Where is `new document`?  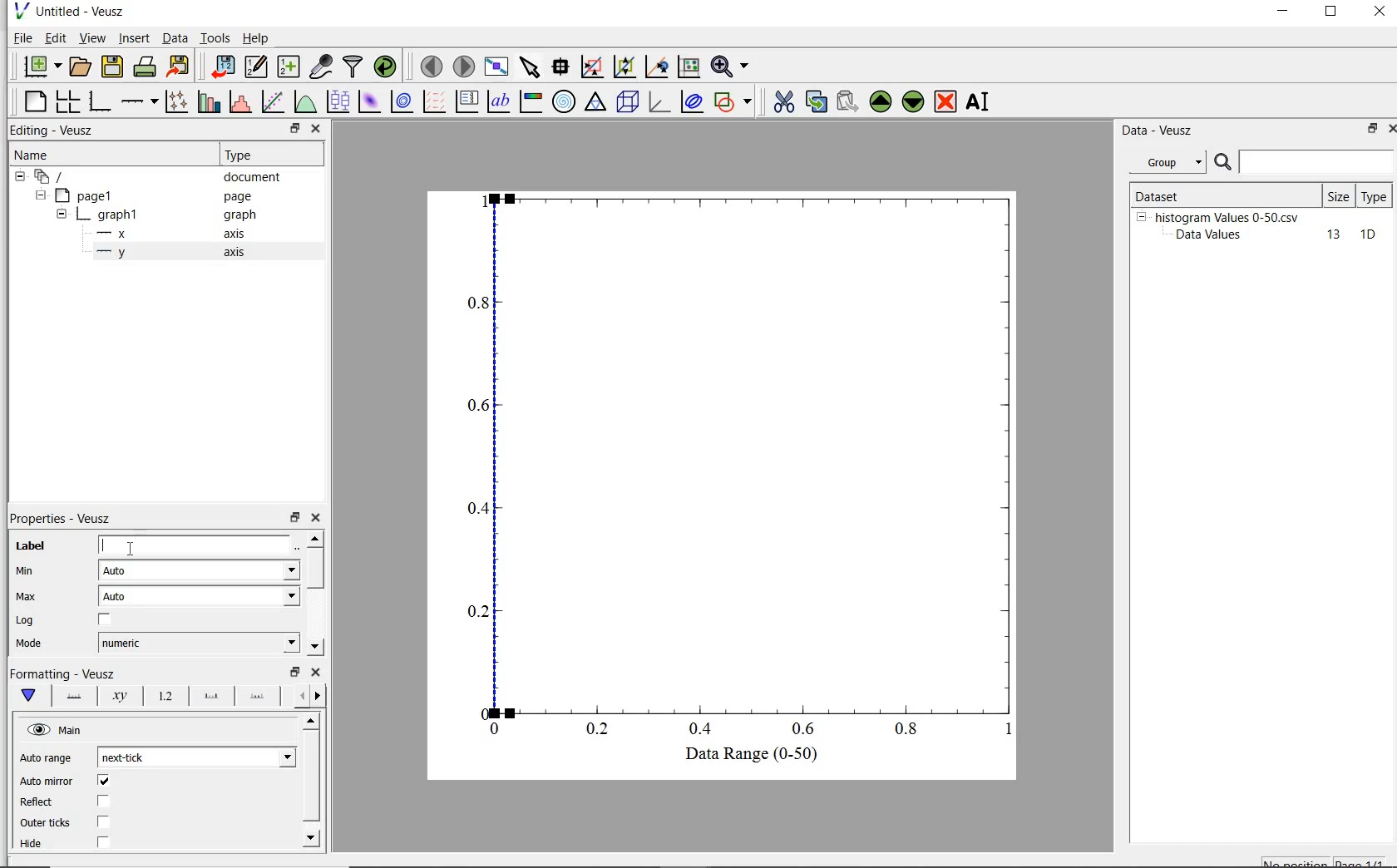
new document is located at coordinates (41, 66).